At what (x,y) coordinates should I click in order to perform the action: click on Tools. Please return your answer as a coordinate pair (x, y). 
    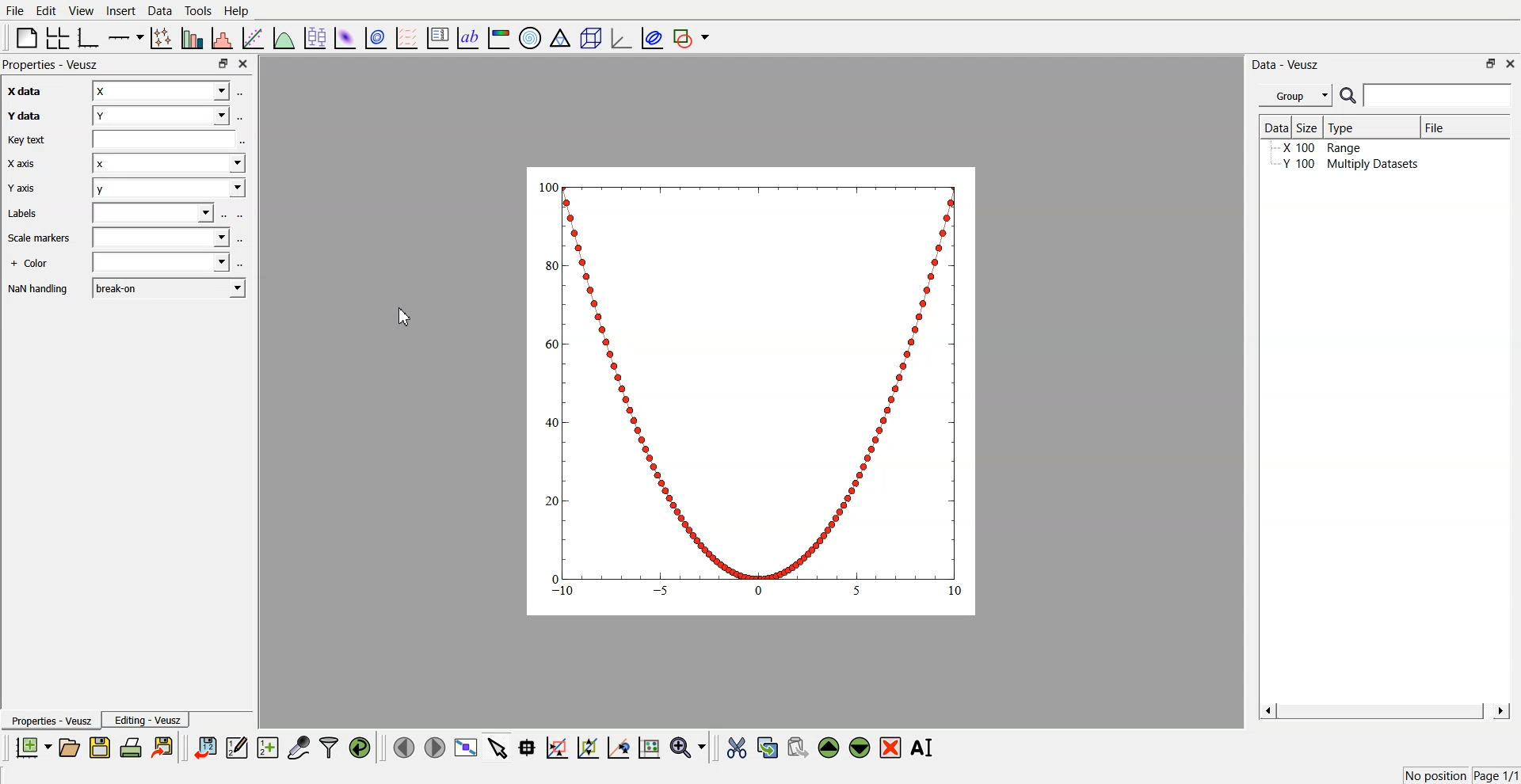
    Looking at the image, I should click on (196, 10).